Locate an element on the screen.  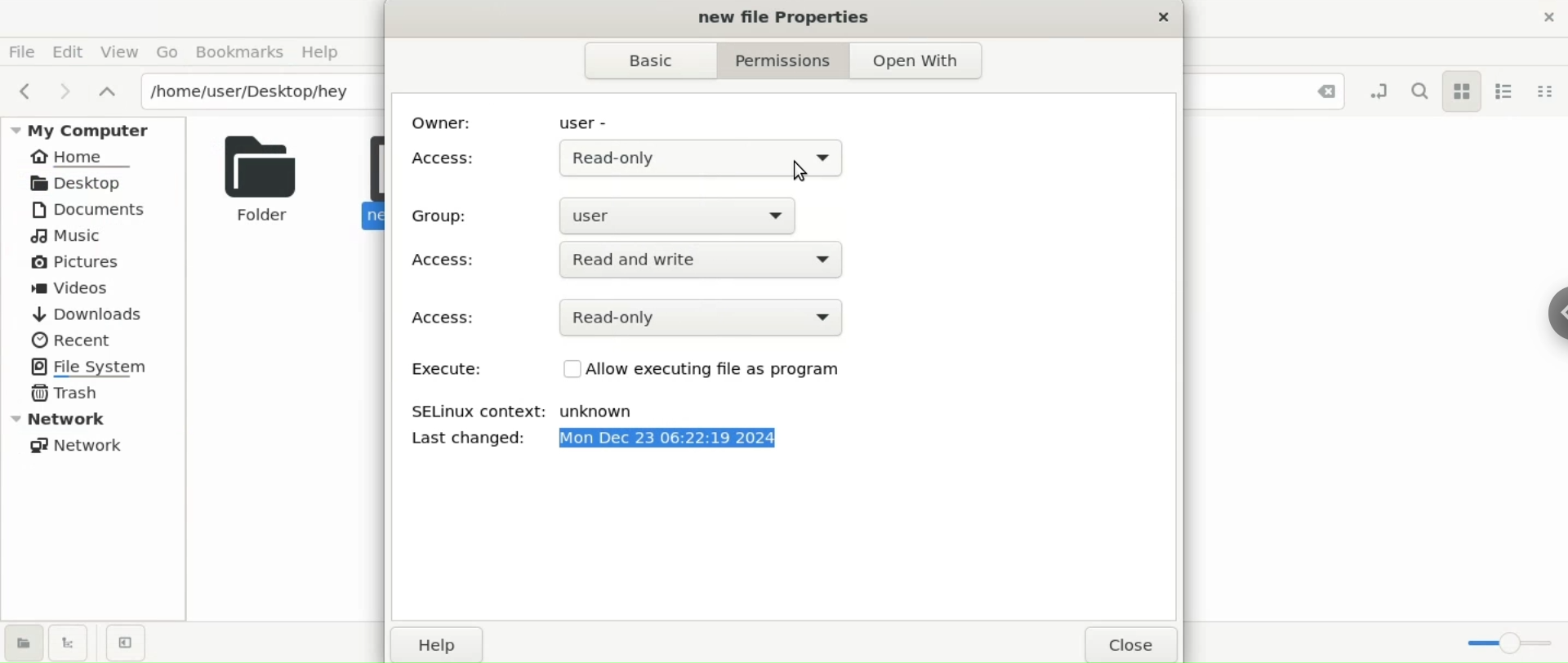
My Computer is located at coordinates (96, 129).